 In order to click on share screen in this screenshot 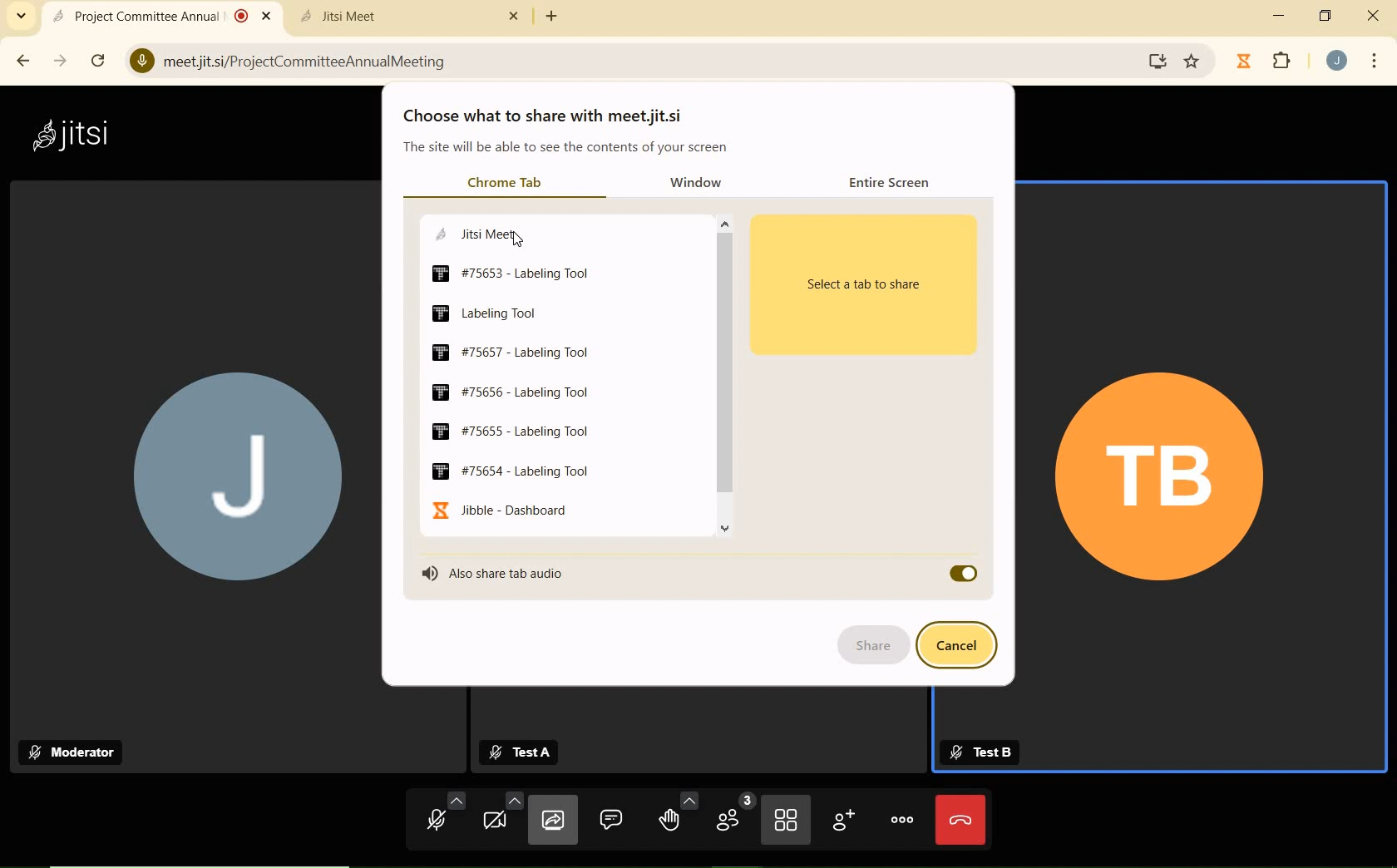, I will do `click(550, 822)`.